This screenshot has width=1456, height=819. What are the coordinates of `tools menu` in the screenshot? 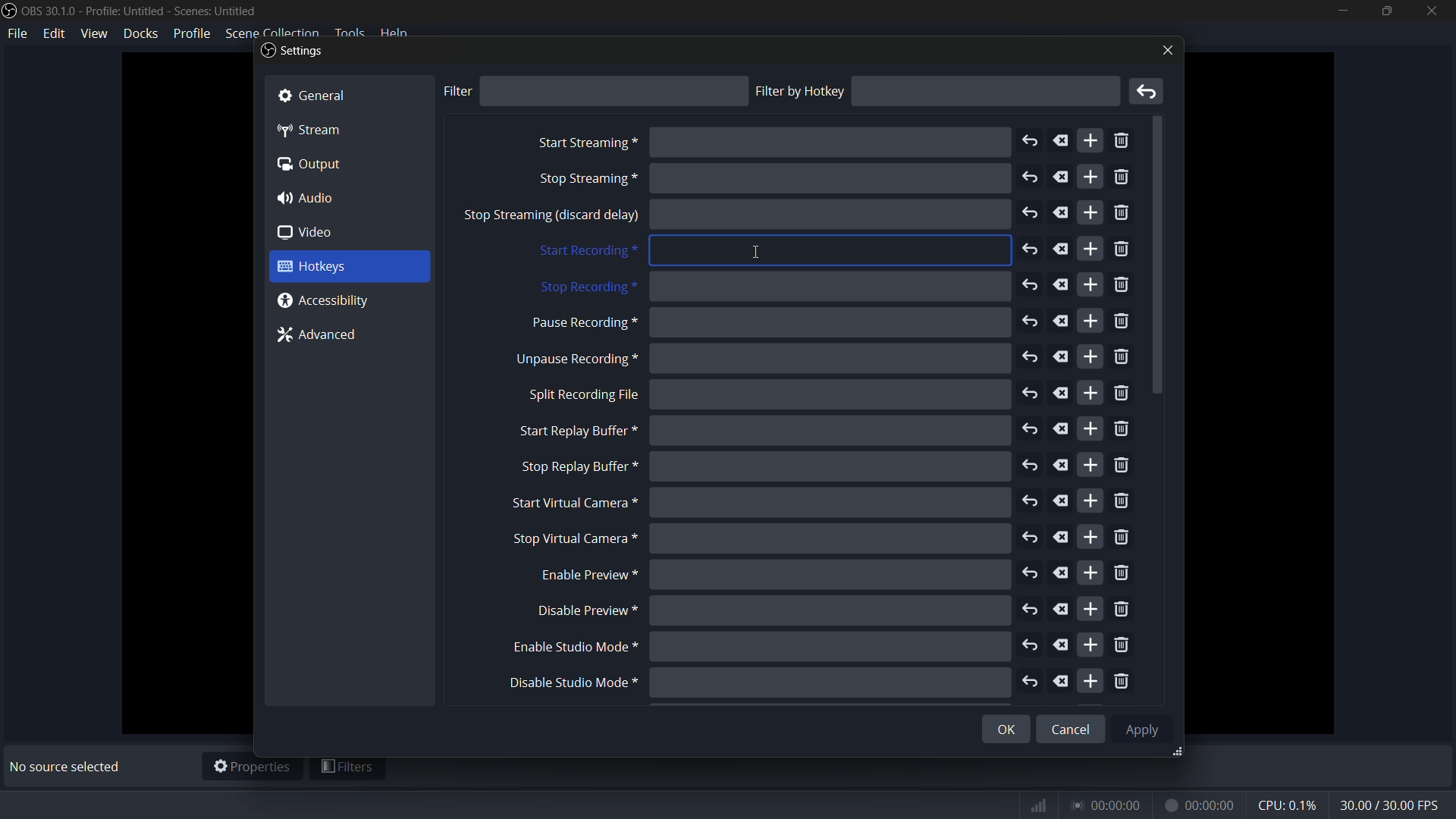 It's located at (349, 33).